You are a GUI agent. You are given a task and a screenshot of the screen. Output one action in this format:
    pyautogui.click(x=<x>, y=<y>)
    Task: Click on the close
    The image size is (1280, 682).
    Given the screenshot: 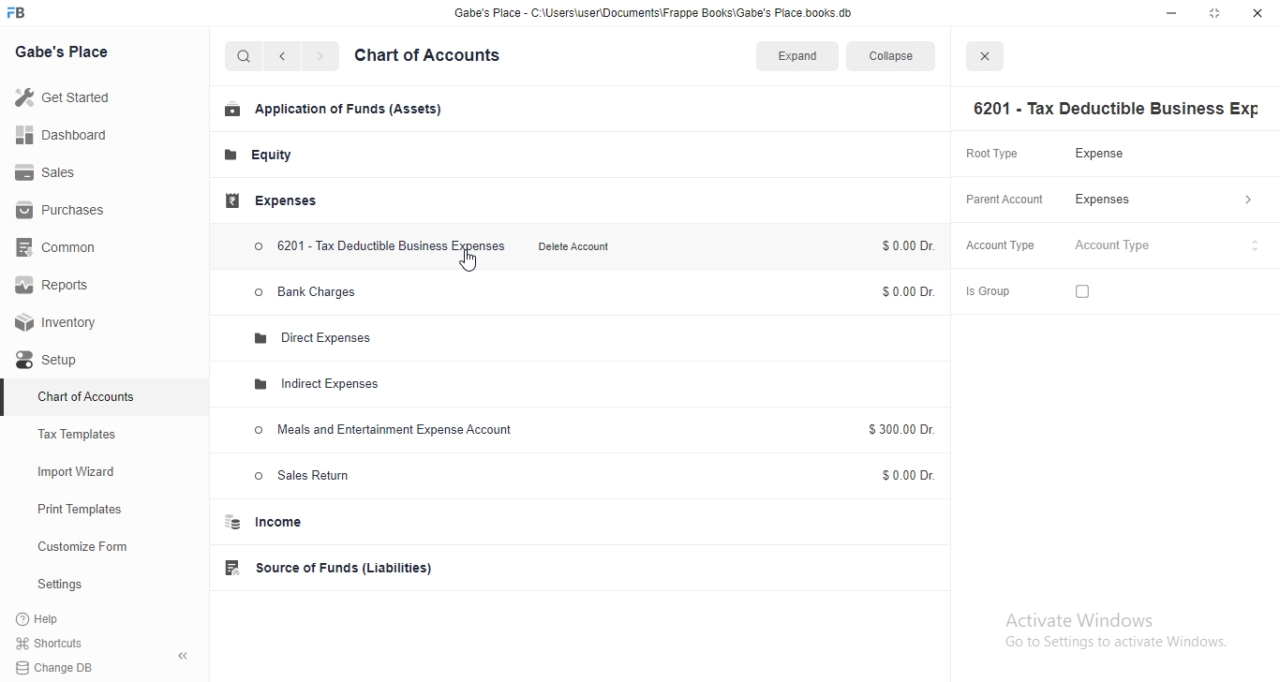 What is the action you would take?
    pyautogui.click(x=991, y=57)
    